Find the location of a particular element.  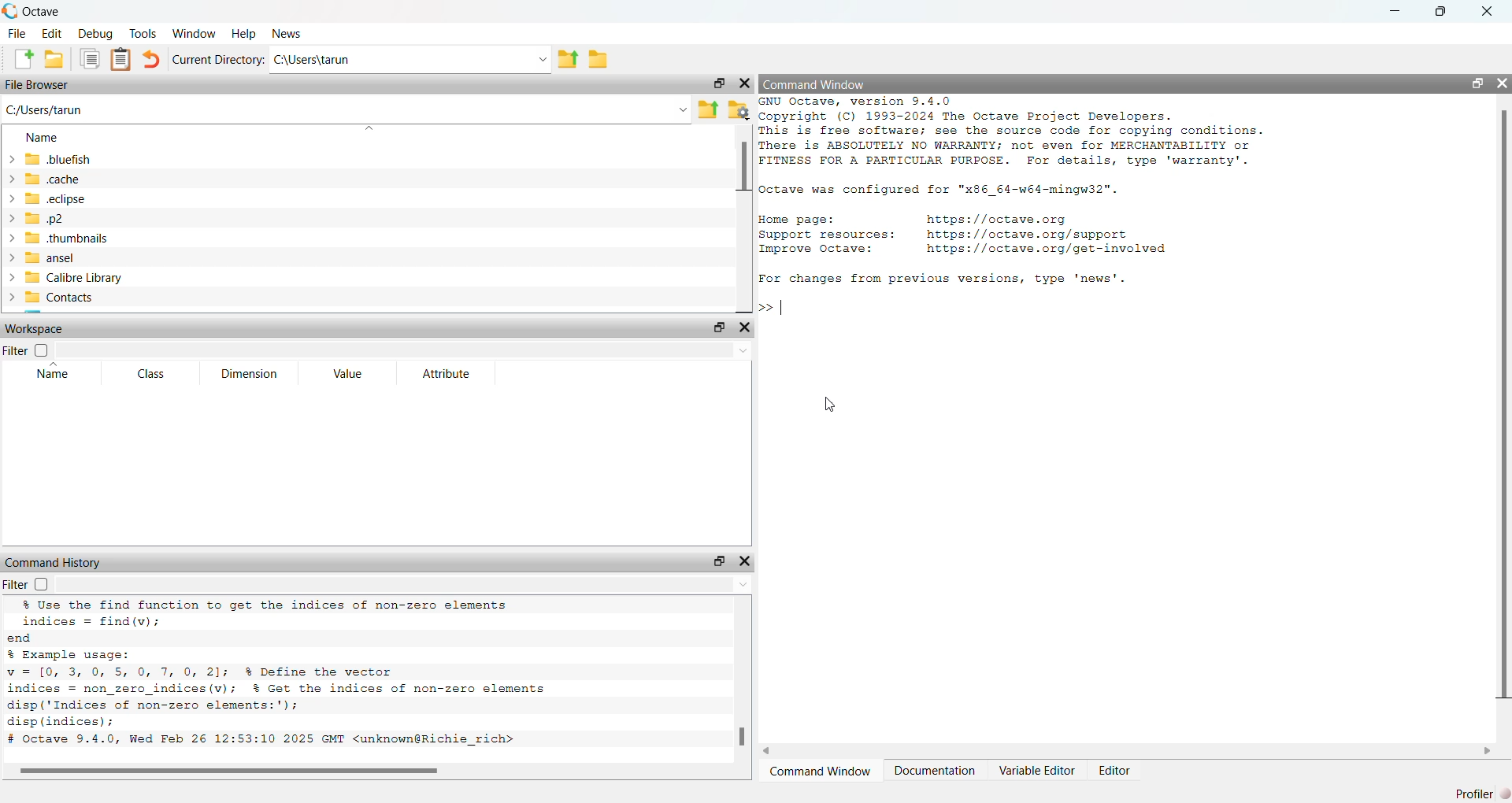

Octave is located at coordinates (42, 13).